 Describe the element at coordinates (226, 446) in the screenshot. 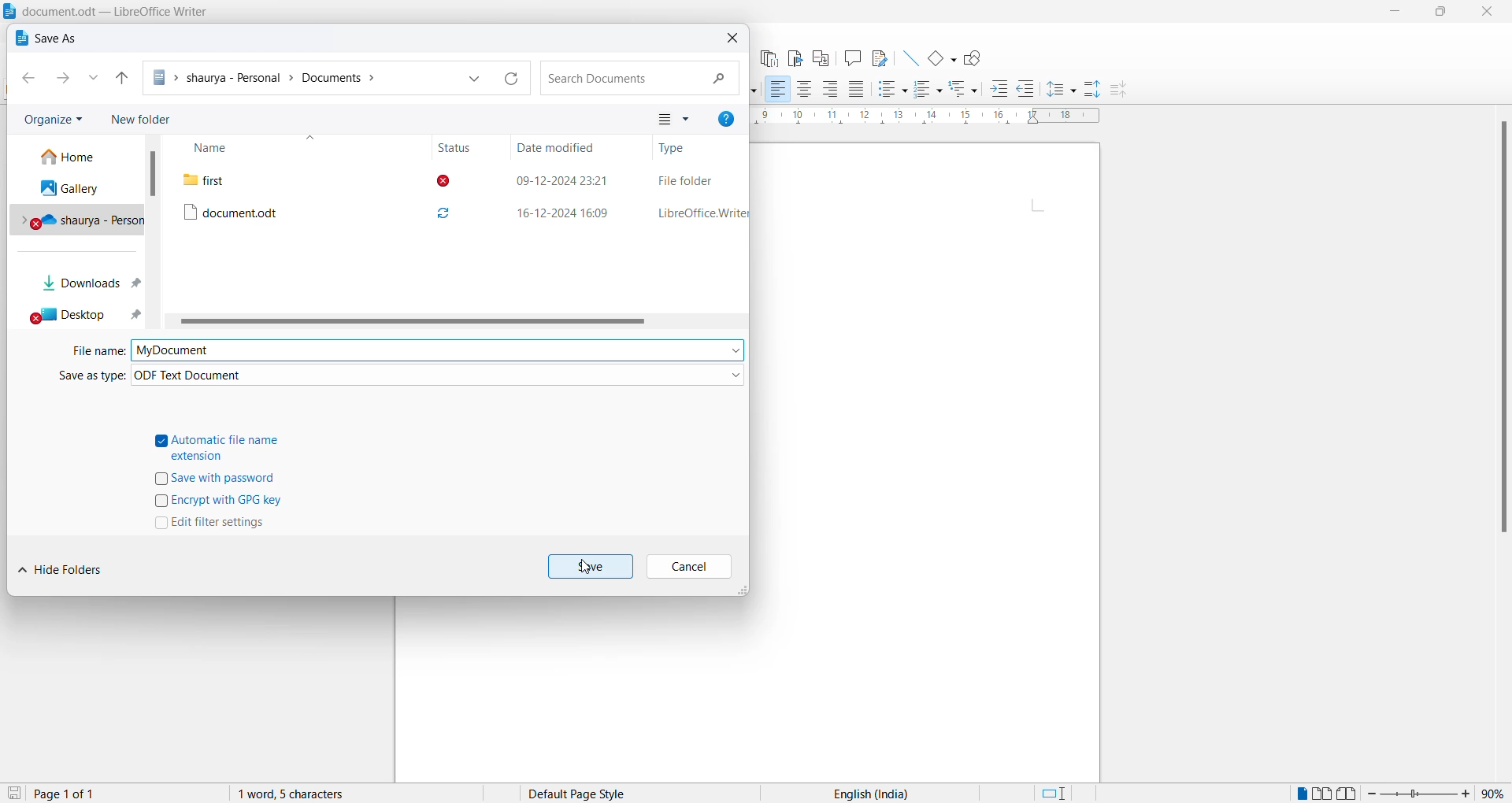

I see `automatic file name extenstion checkbox` at that location.